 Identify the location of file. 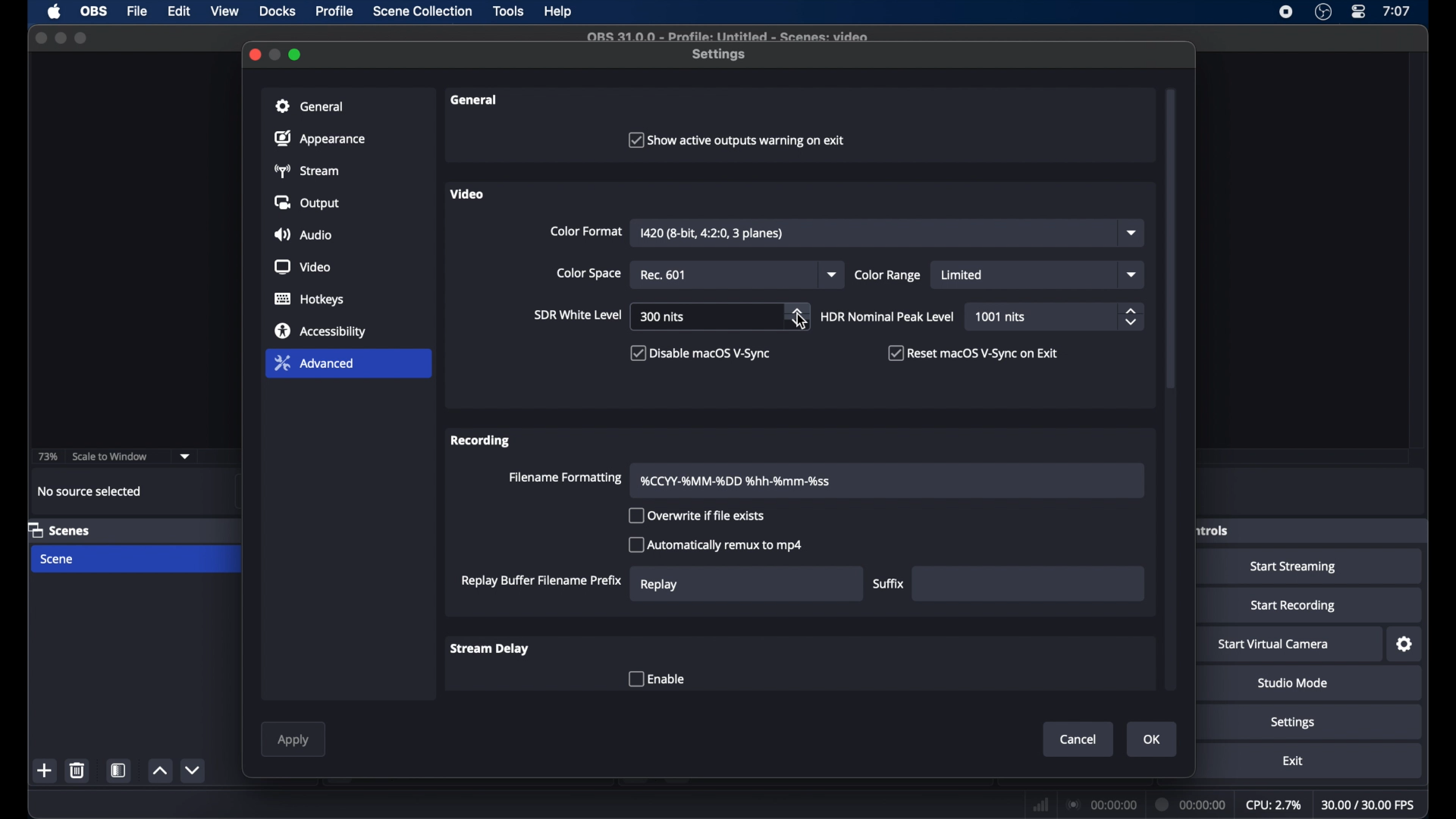
(138, 11).